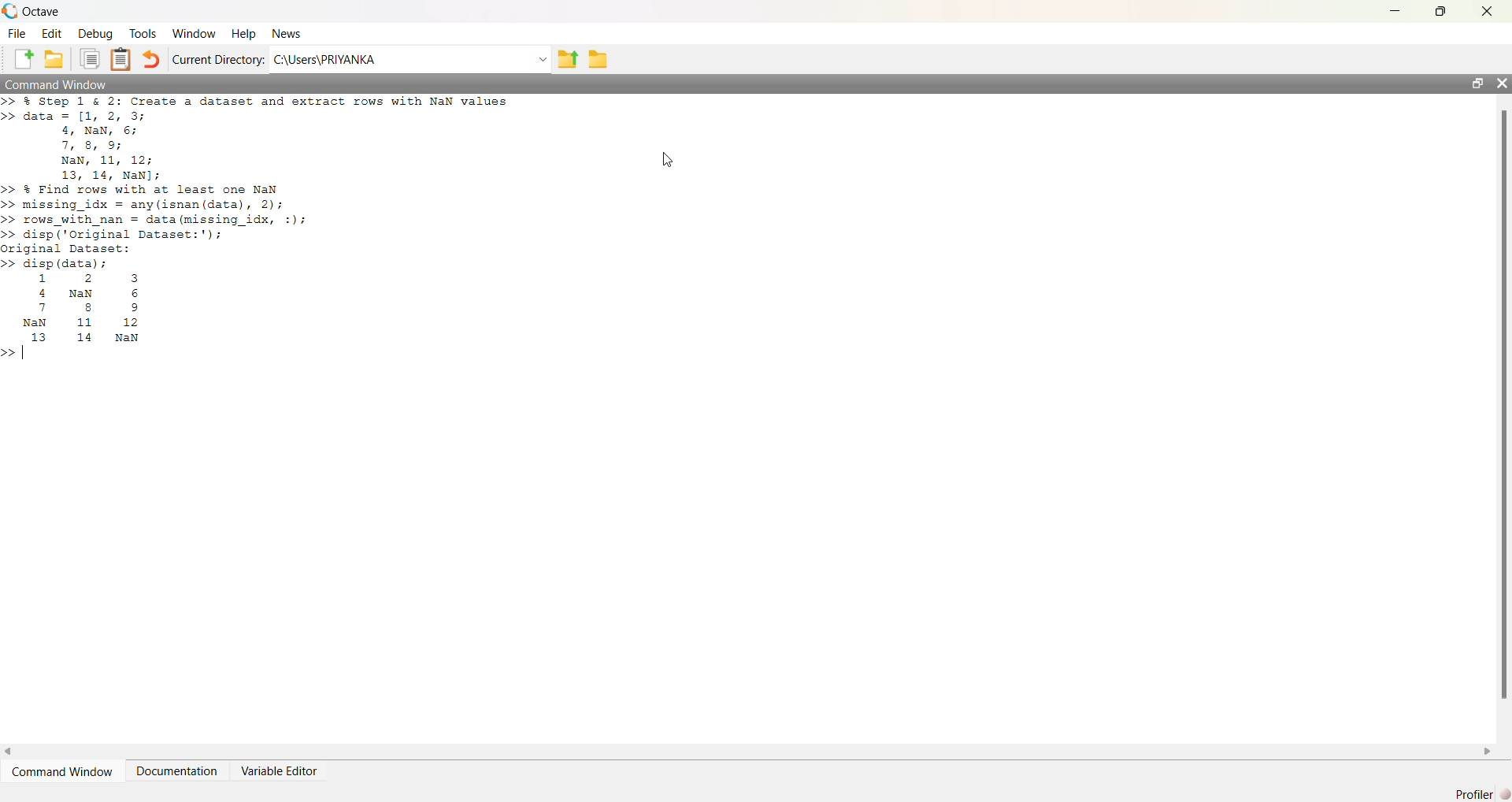  I want to click on Duplicate, so click(90, 59).